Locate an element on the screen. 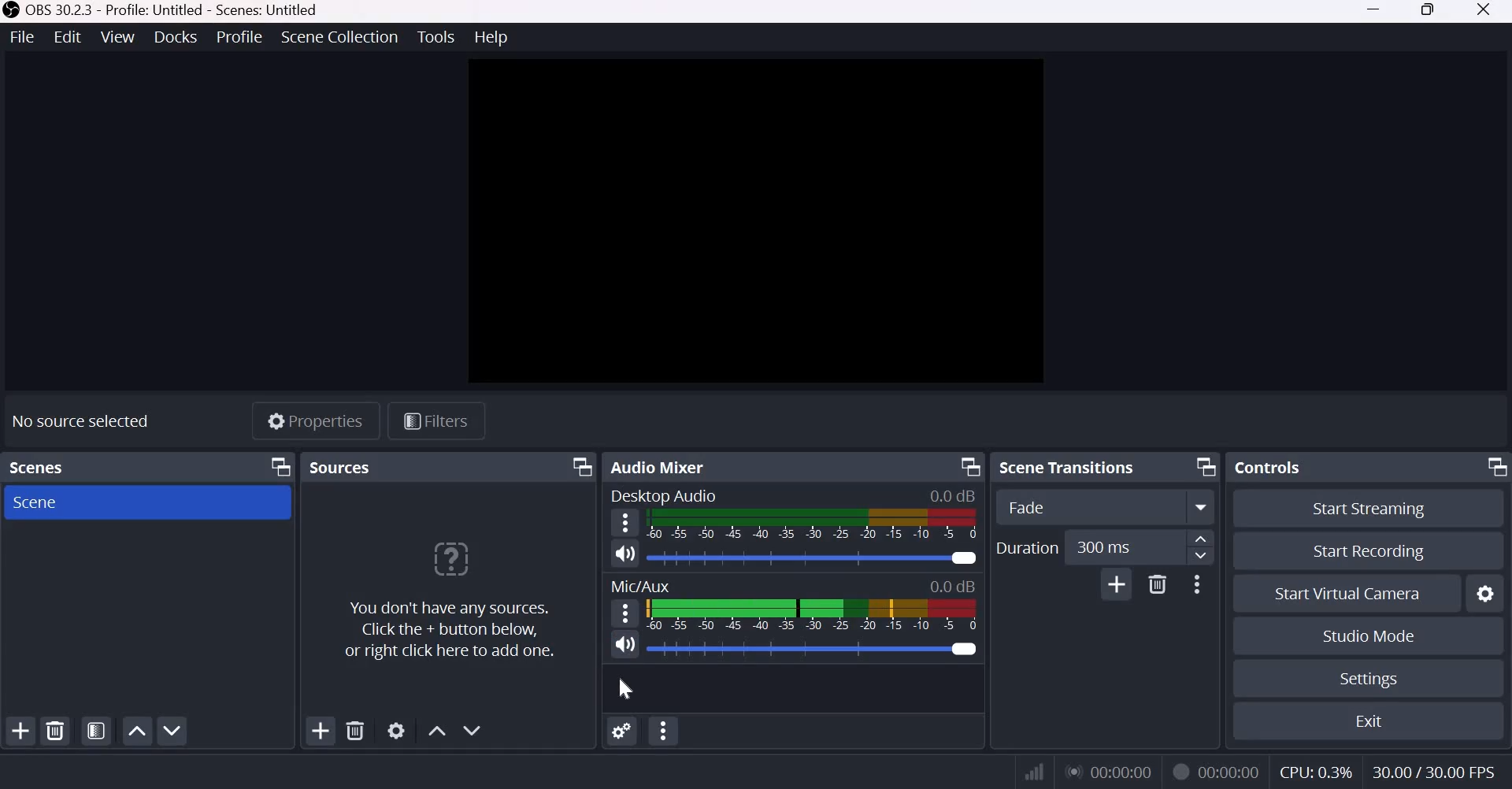 The height and width of the screenshot is (789, 1512). Audio Mixer is located at coordinates (662, 469).